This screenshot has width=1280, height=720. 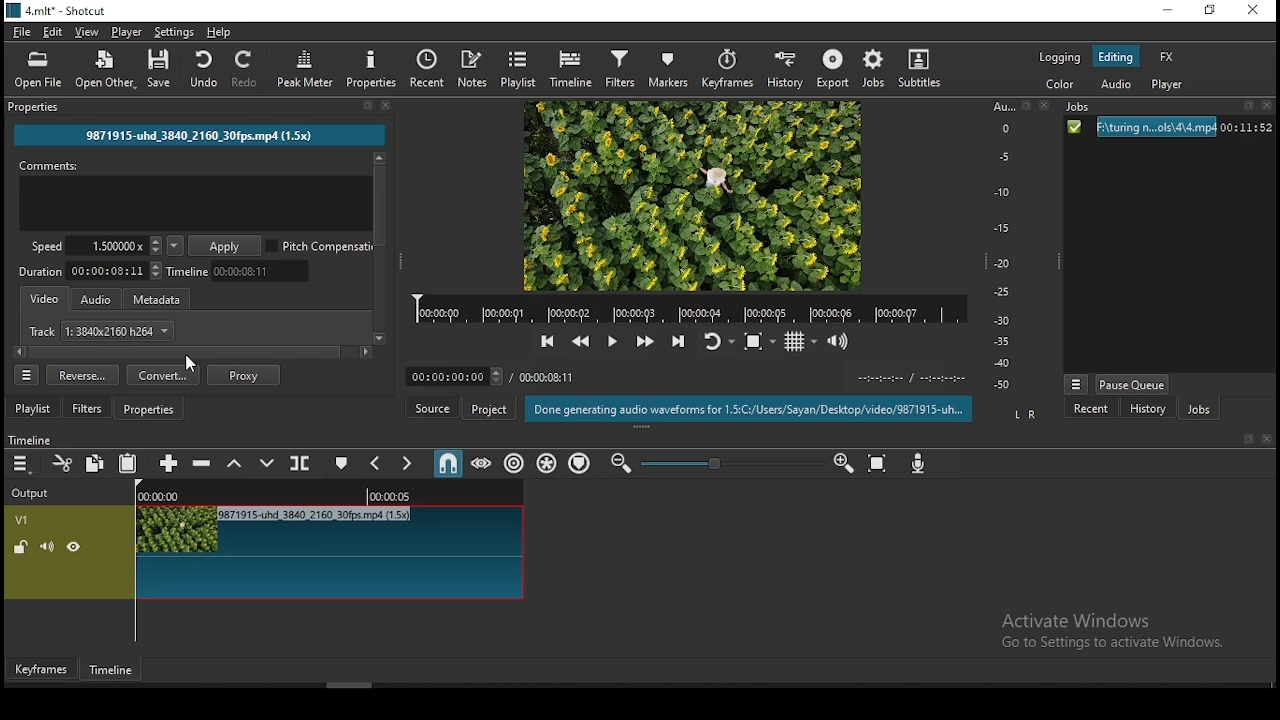 What do you see at coordinates (322, 245) in the screenshot?
I see `pitch compression` at bounding box center [322, 245].